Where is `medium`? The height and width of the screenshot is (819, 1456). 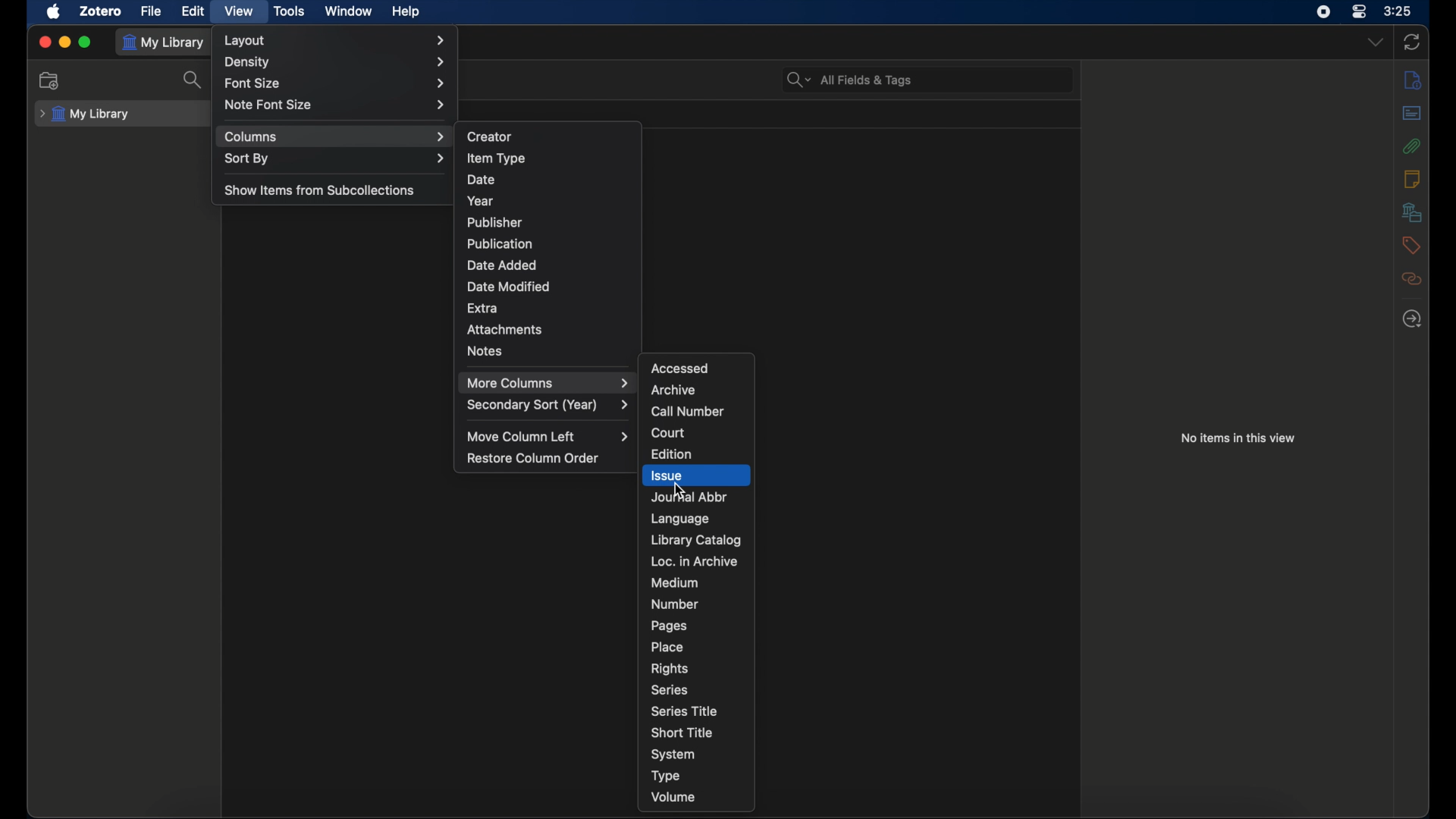
medium is located at coordinates (674, 582).